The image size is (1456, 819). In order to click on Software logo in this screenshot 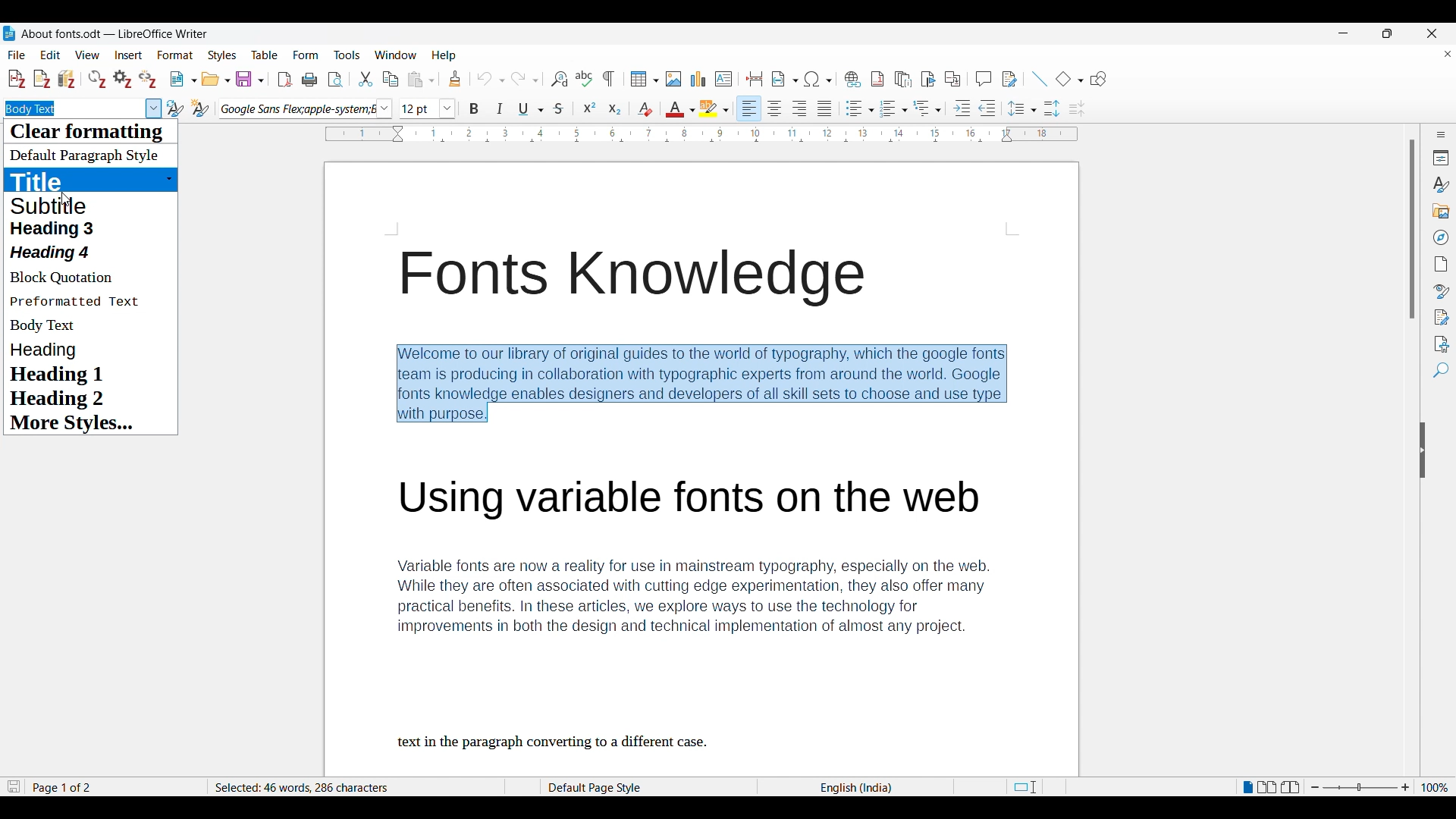, I will do `click(9, 33)`.